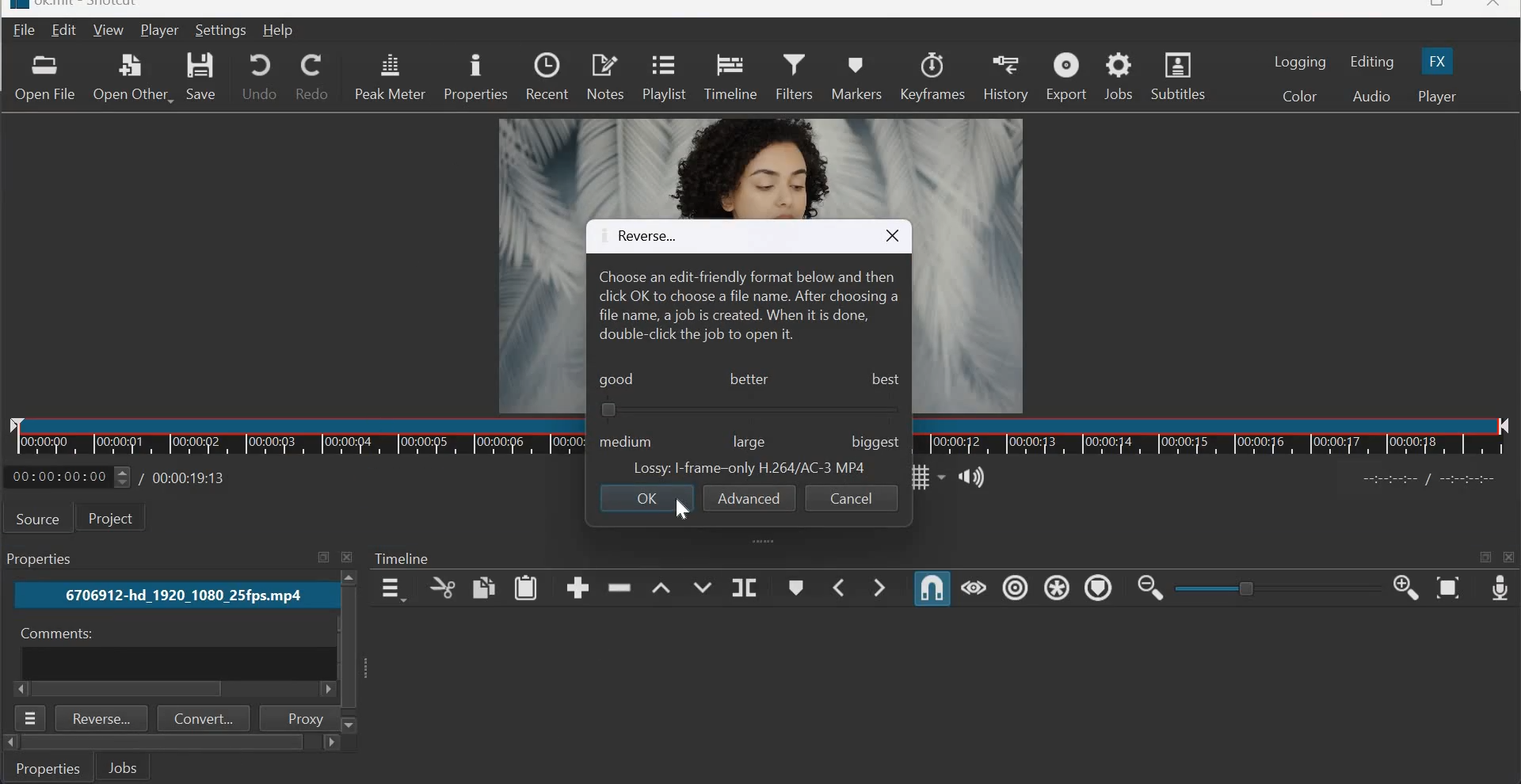 The height and width of the screenshot is (784, 1521). What do you see at coordinates (68, 477) in the screenshot?
I see `current position` at bounding box center [68, 477].